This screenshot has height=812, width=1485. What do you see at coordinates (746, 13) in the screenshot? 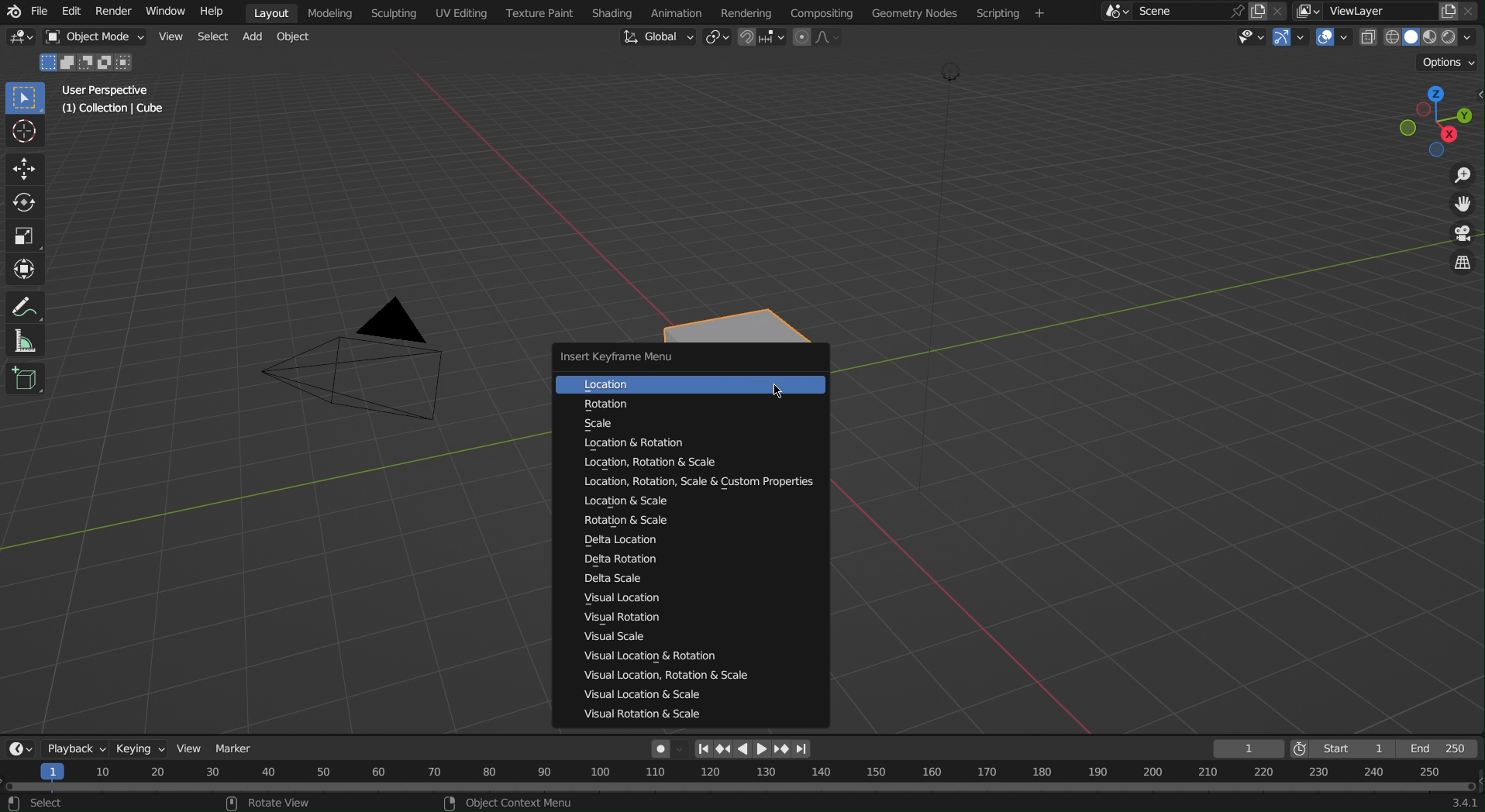
I see `Rendering` at bounding box center [746, 13].